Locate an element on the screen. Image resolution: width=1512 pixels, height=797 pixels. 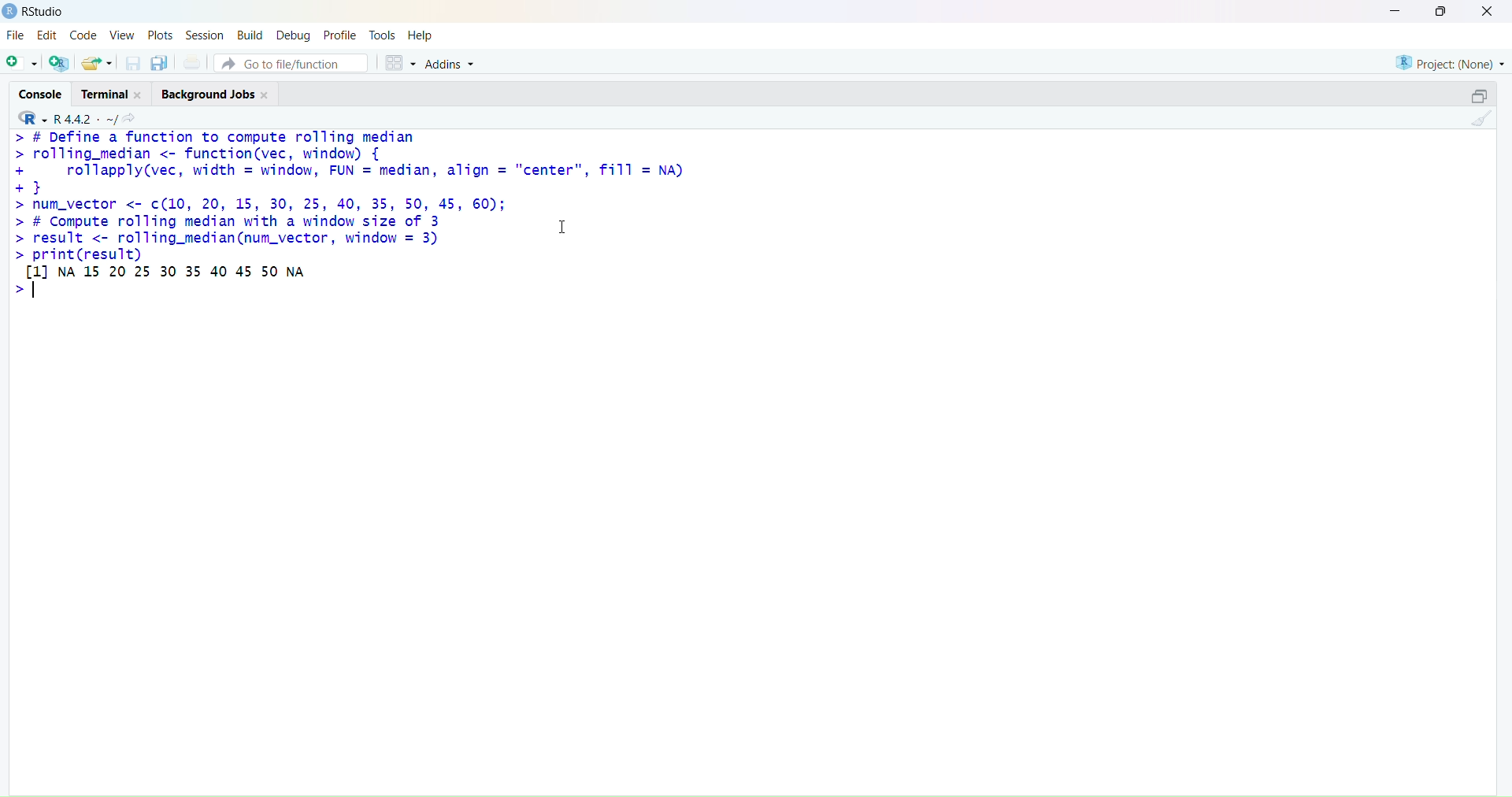
> # Define a function to compute rolling median
> rolling_median <- function(vec, window) {
+ rollapply(vec, width = window, FUN = median, align = "center", fill = NA)
+}
> num_vector <- c(10, 20, 15, 30, 25, 40, 35, 50, 45, 60);
> # Compute rolling median with a window size of 3 1
> result <- rolling_median(num_vector, window = 3)
> print(result)
tH NA 15 20 25 30 35 40 45 50 NA
> is located at coordinates (356, 215).